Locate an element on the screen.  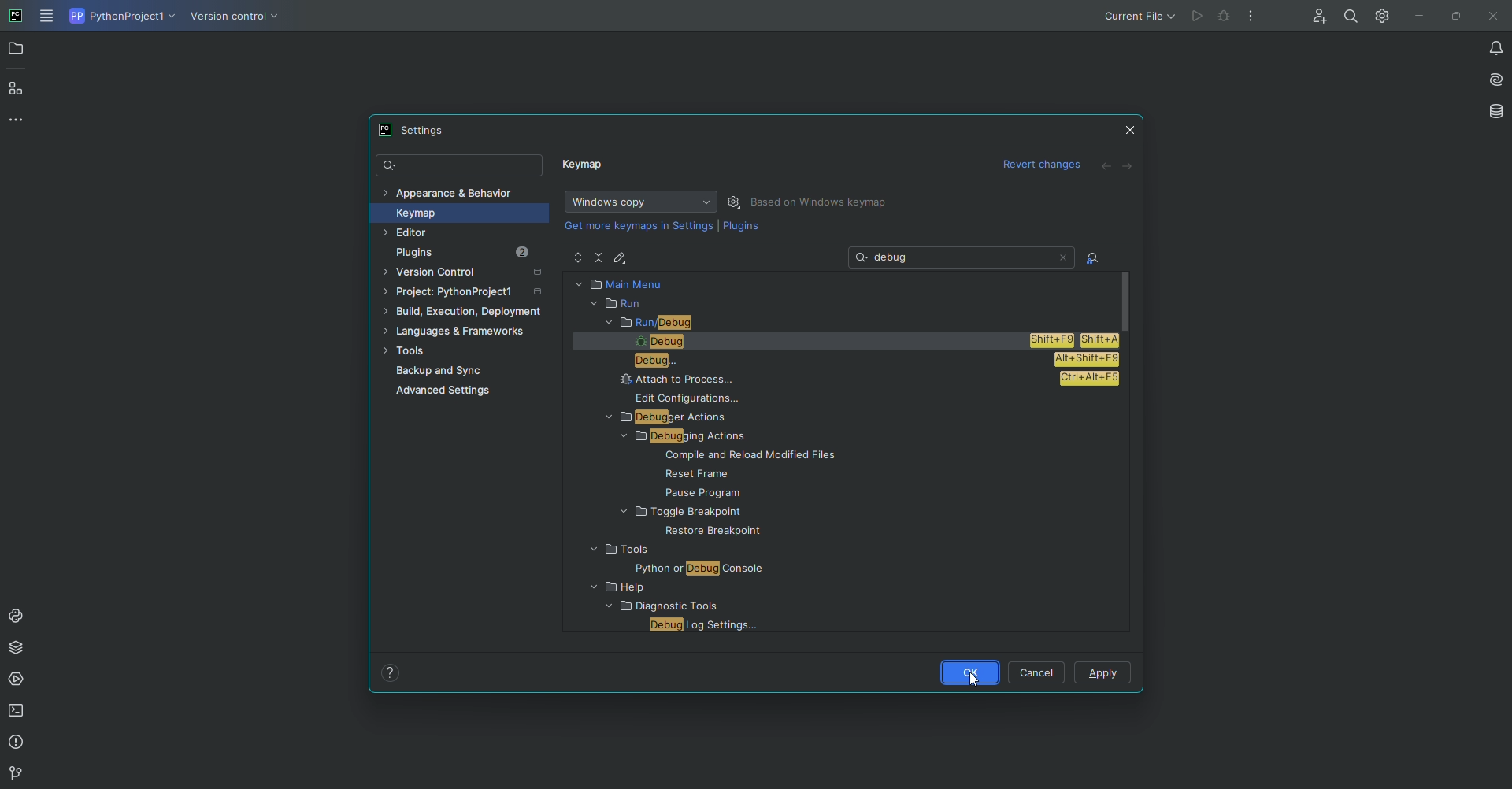
FILE NAME is located at coordinates (700, 625).